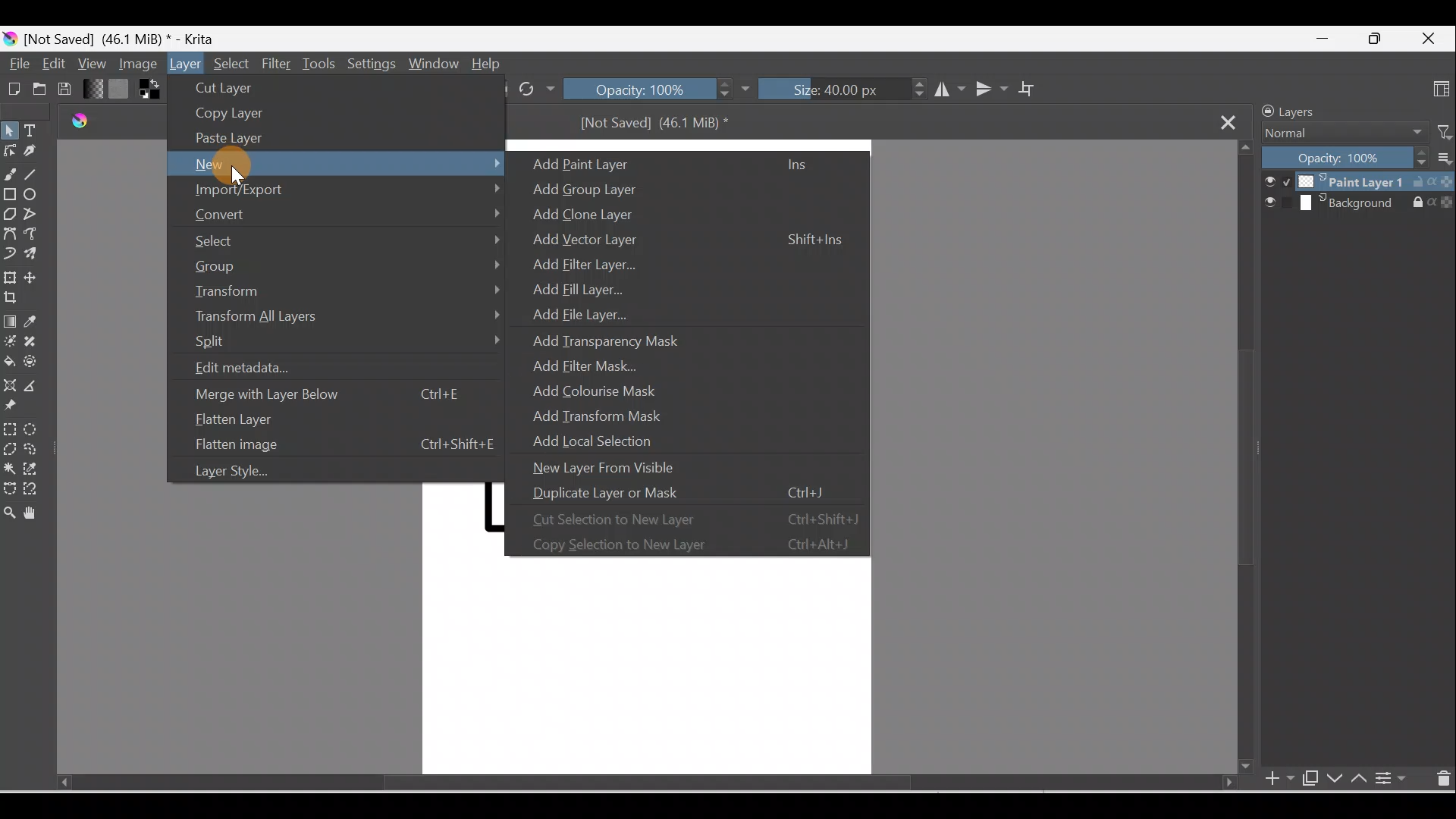 This screenshot has width=1456, height=819. What do you see at coordinates (274, 369) in the screenshot?
I see `Edit metadata` at bounding box center [274, 369].